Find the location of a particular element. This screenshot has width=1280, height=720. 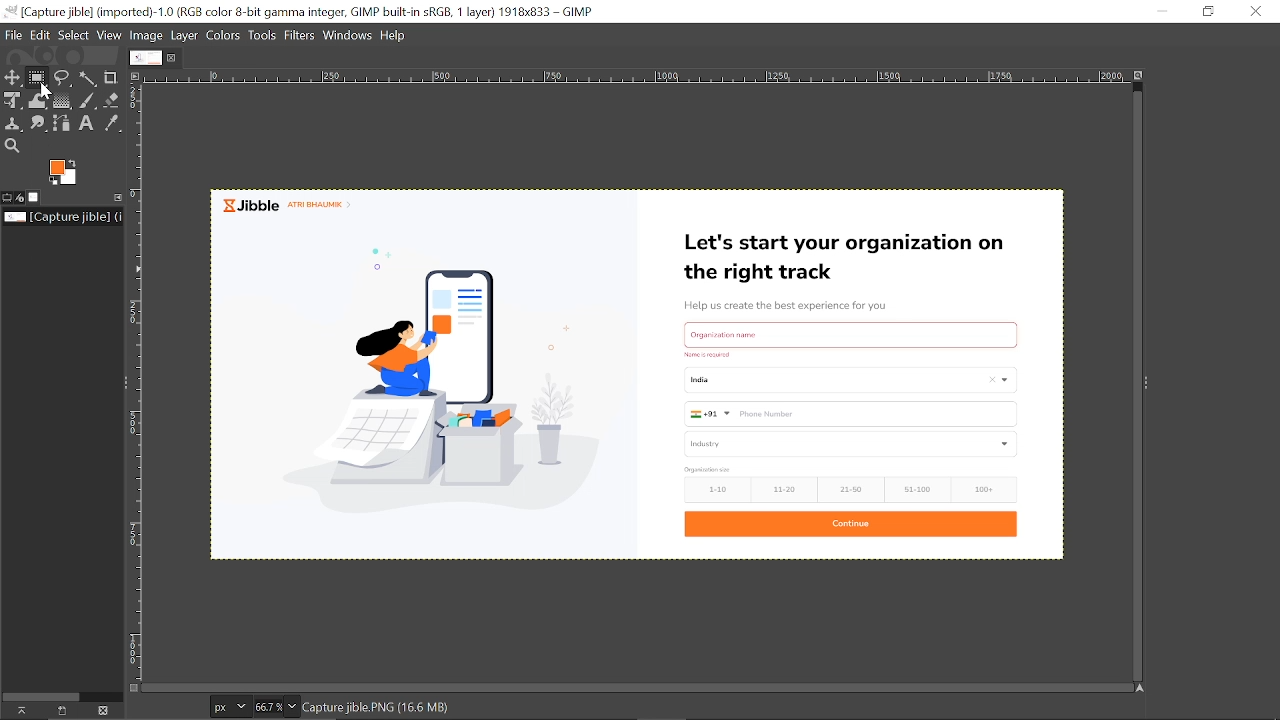

Sidebar menu is located at coordinates (1156, 386).